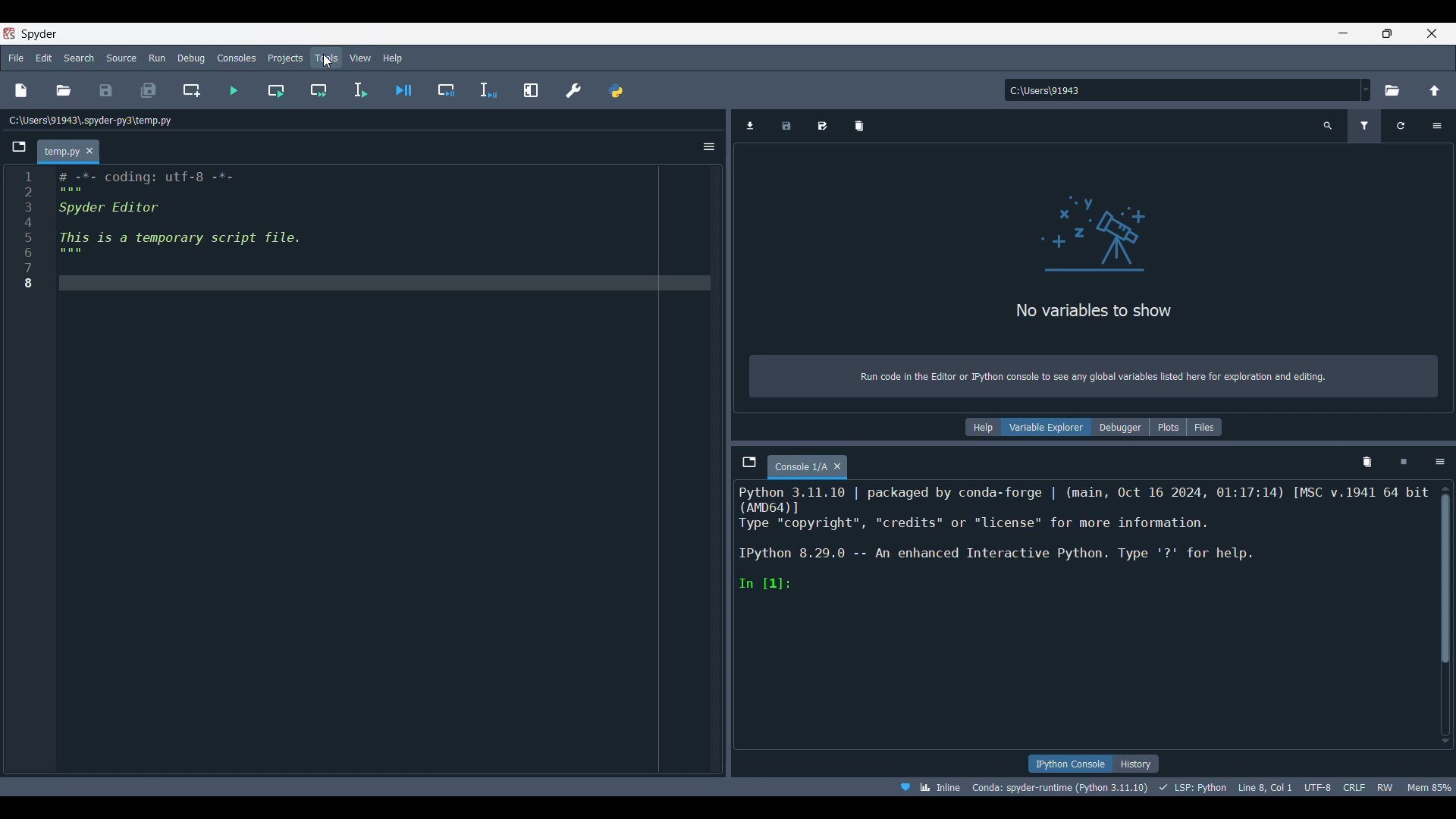 This screenshot has width=1456, height=819. I want to click on Save file, so click(106, 90).